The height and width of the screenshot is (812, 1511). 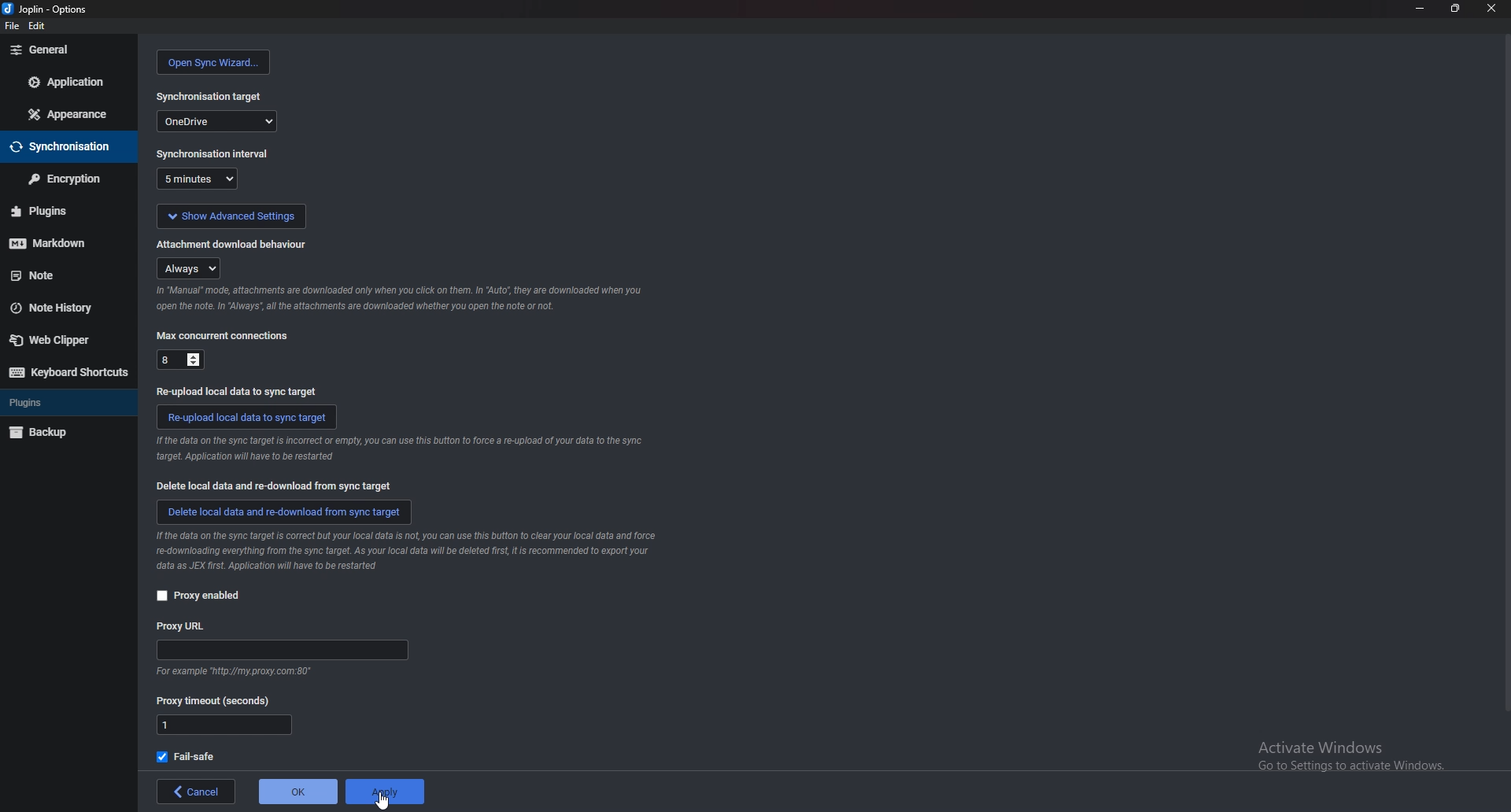 I want to click on minimize, so click(x=1420, y=9).